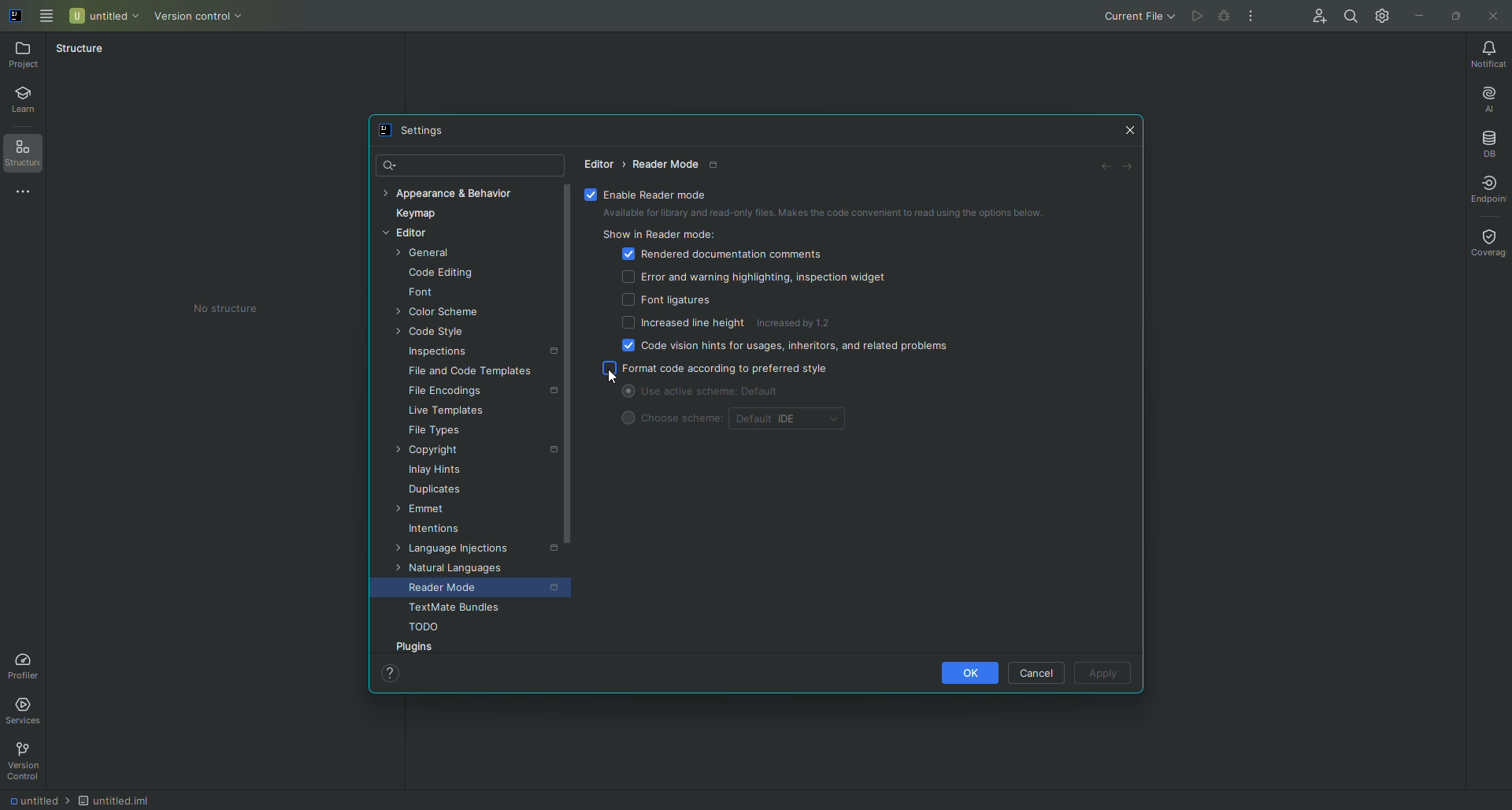 The width and height of the screenshot is (1512, 810). What do you see at coordinates (477, 590) in the screenshot?
I see `Reader Mode` at bounding box center [477, 590].